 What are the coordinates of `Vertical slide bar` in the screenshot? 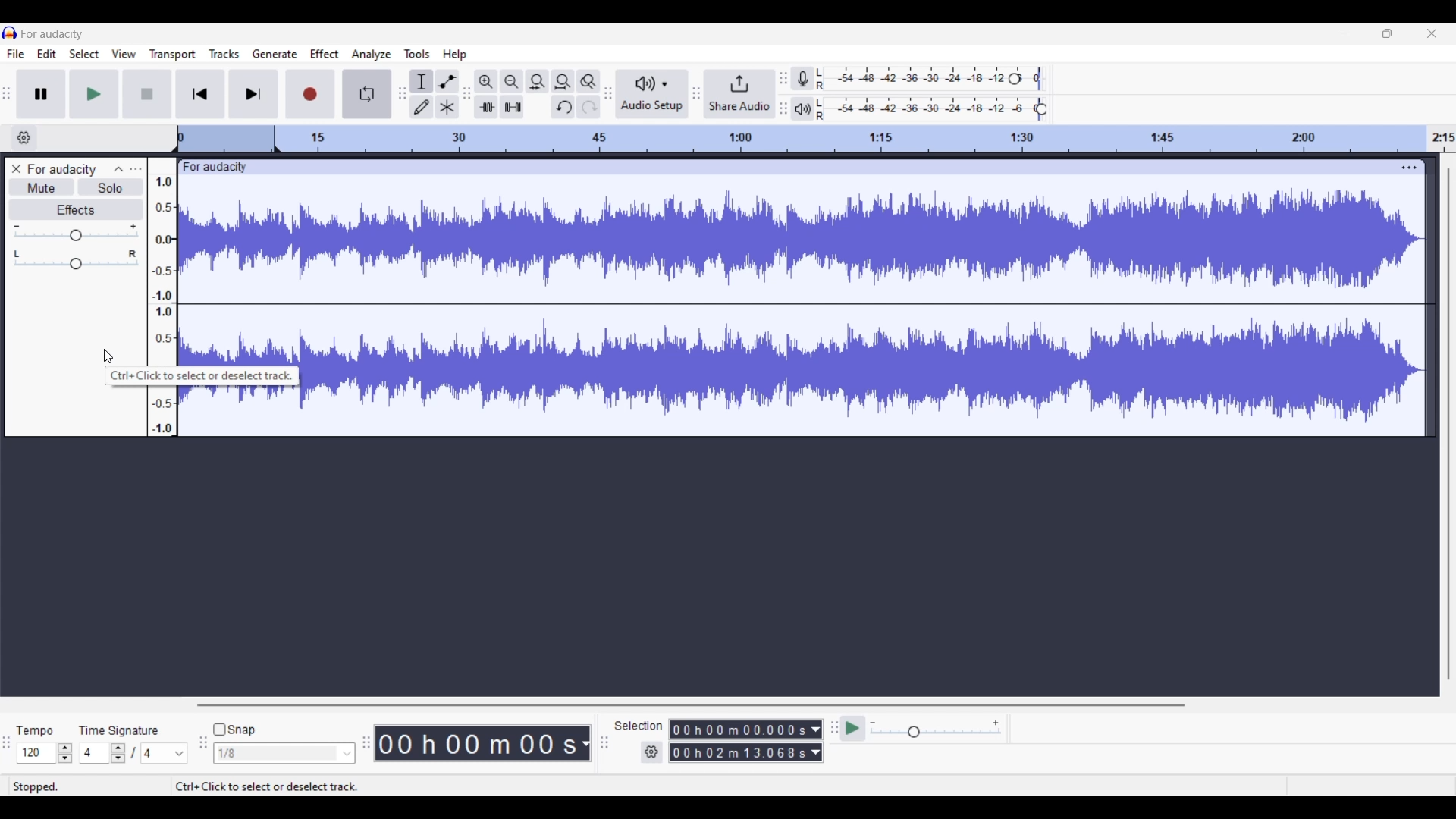 It's located at (1448, 423).